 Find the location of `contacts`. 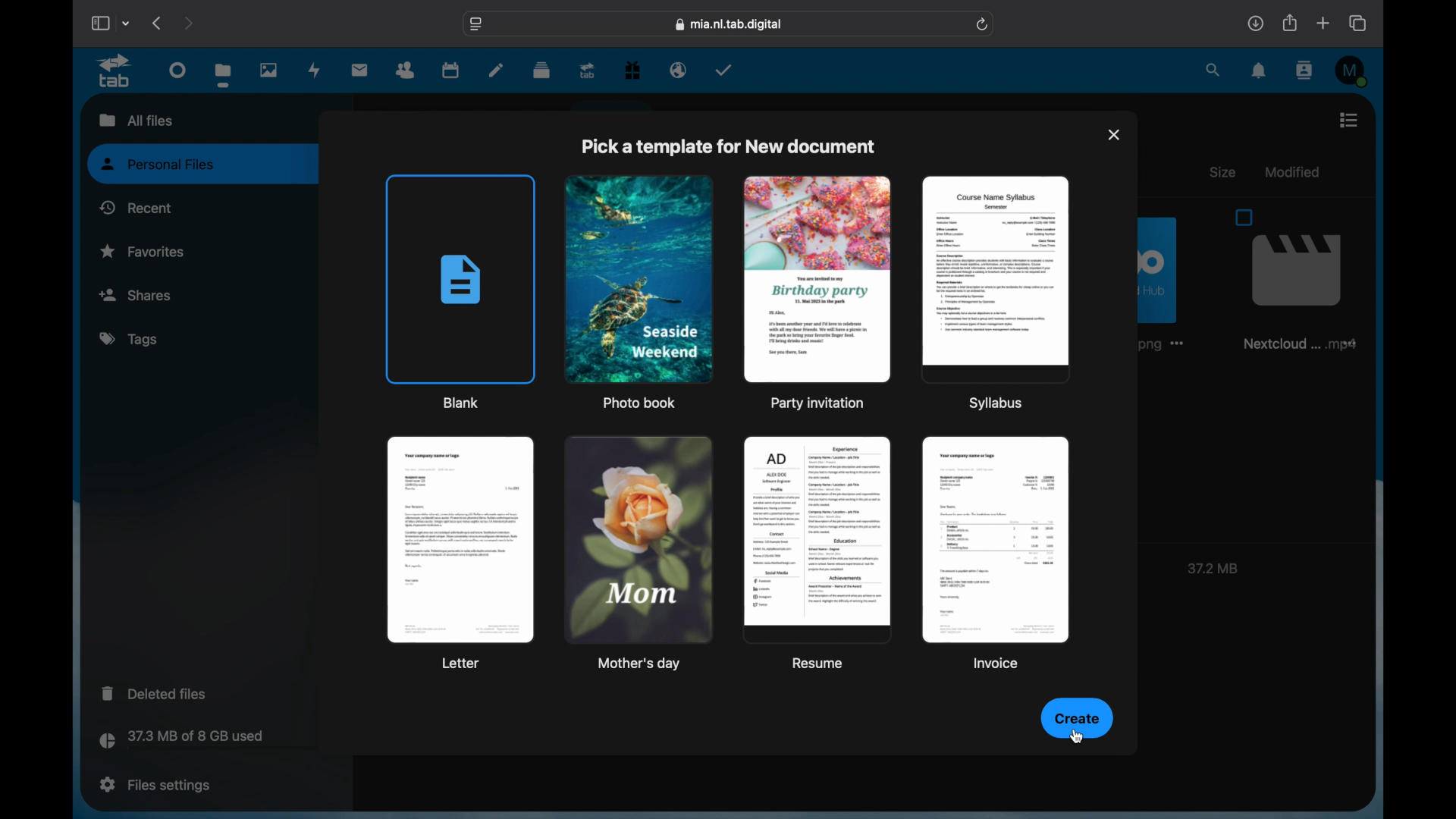

contacts is located at coordinates (1306, 70).